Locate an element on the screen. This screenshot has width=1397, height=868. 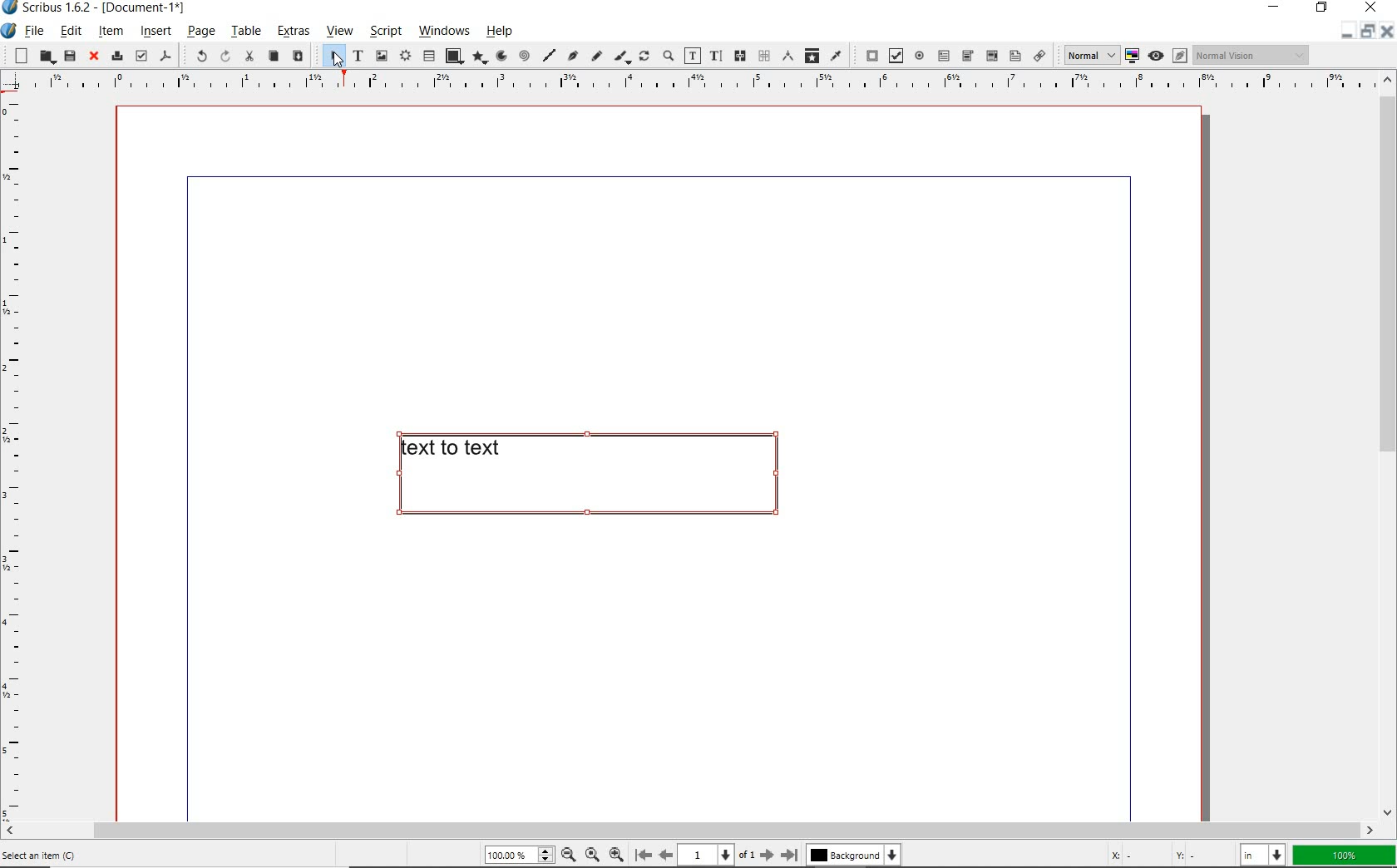
eye dropper is located at coordinates (837, 55).